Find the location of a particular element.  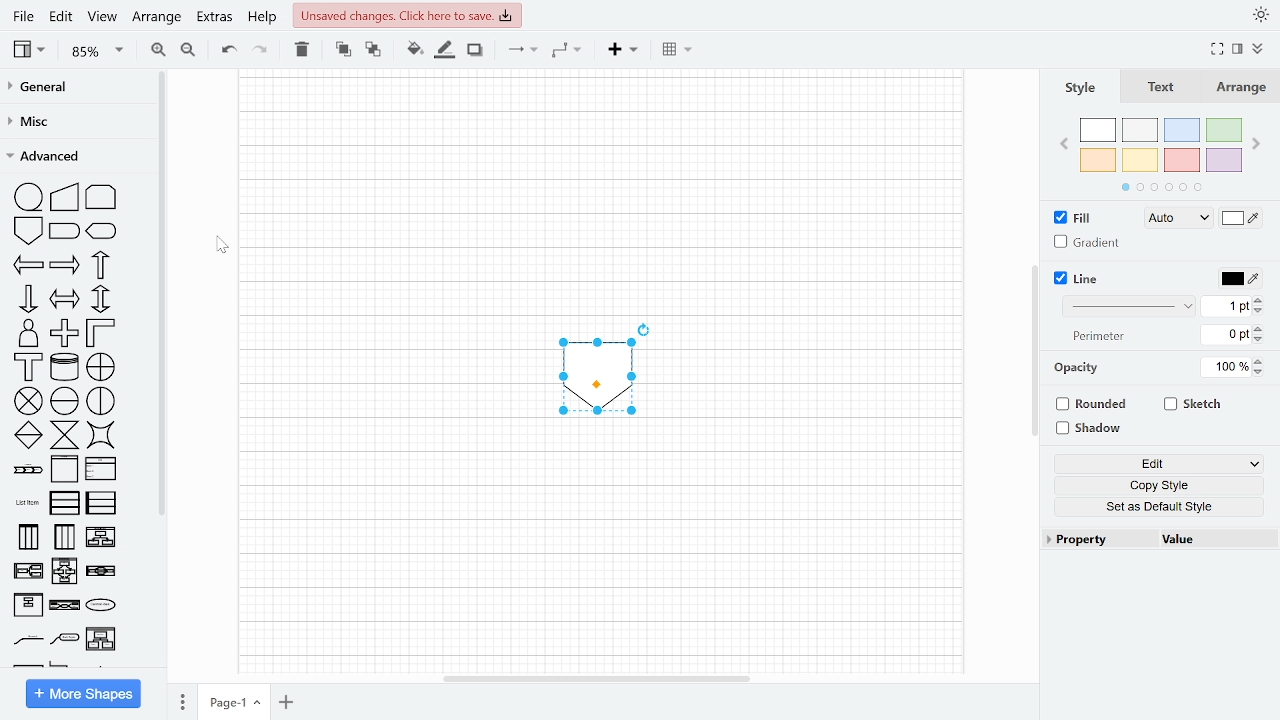

user is located at coordinates (26, 333).